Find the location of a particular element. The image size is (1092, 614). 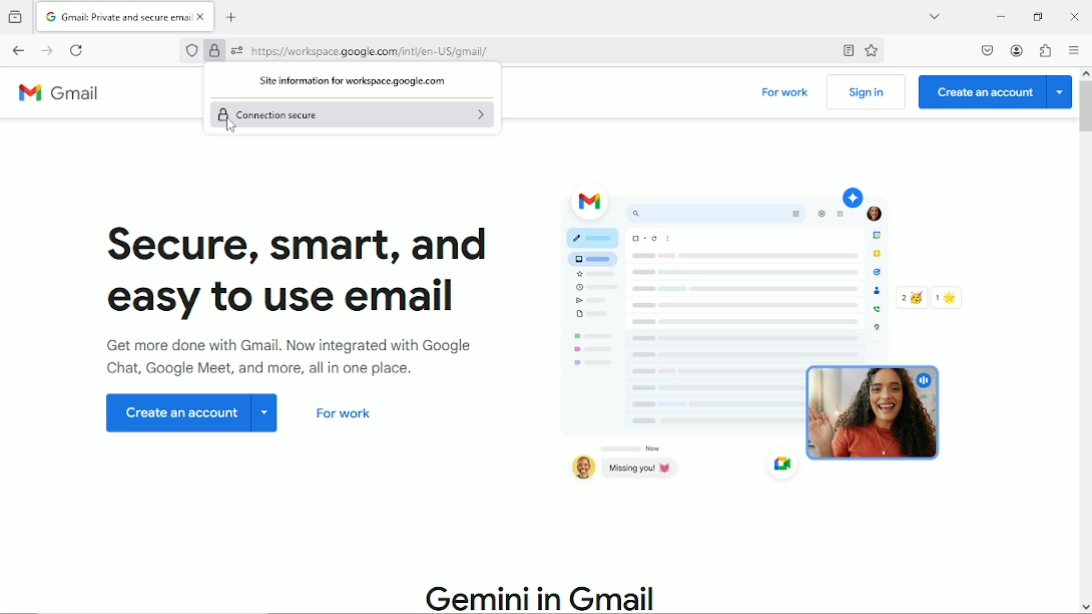

Account is located at coordinates (1017, 50).